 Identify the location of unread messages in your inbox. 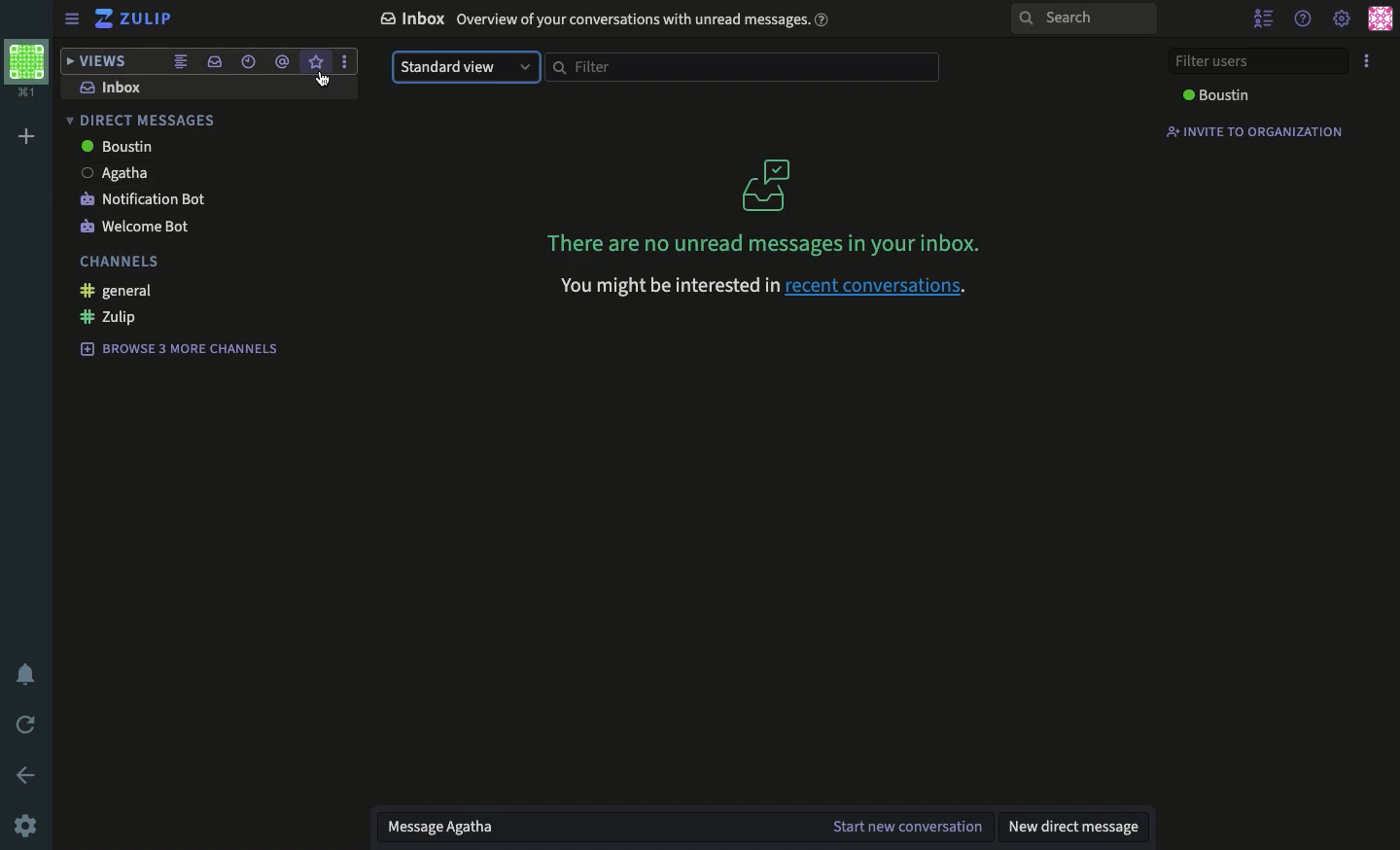
(767, 205).